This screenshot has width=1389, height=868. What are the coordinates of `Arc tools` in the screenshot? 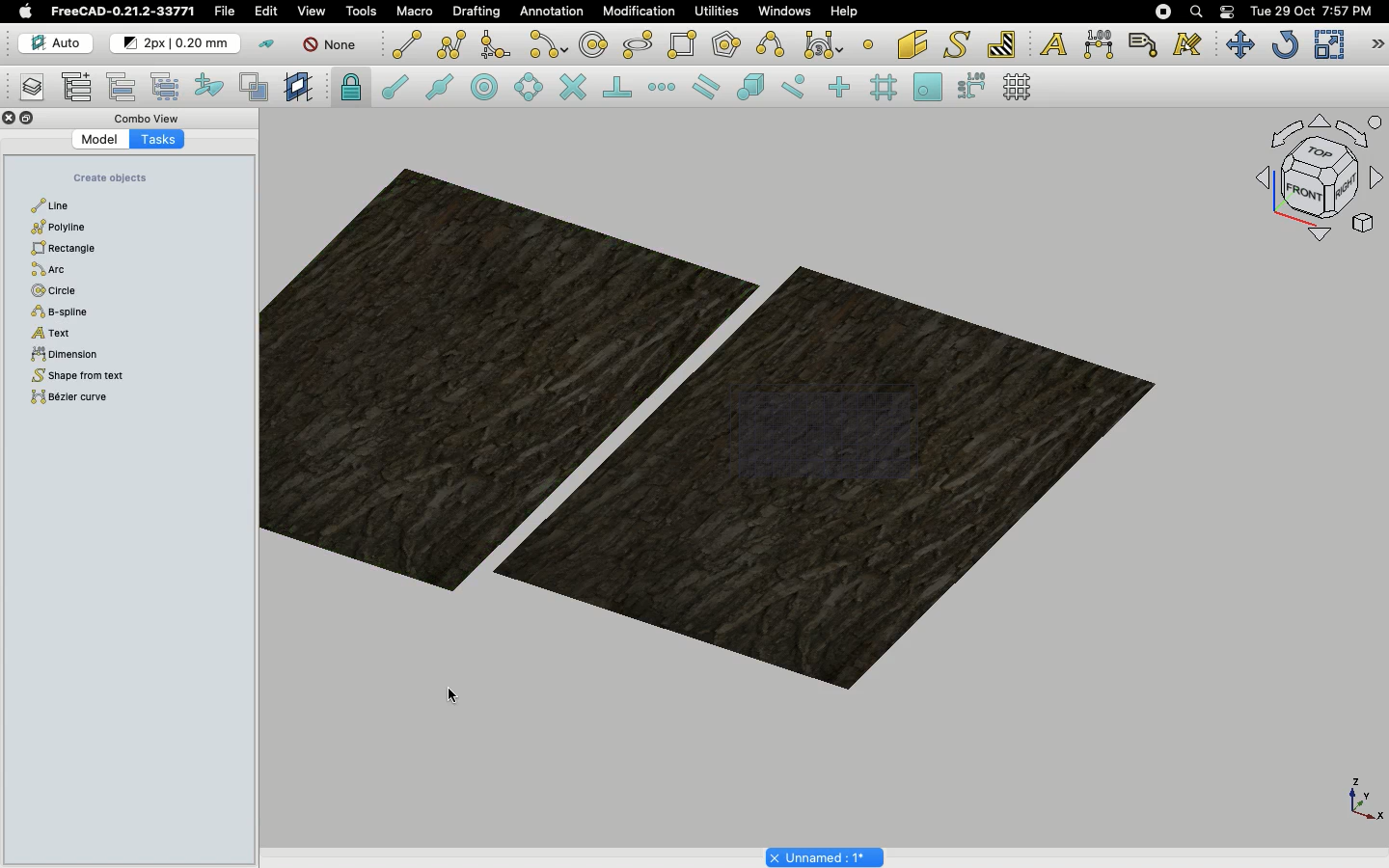 It's located at (547, 46).